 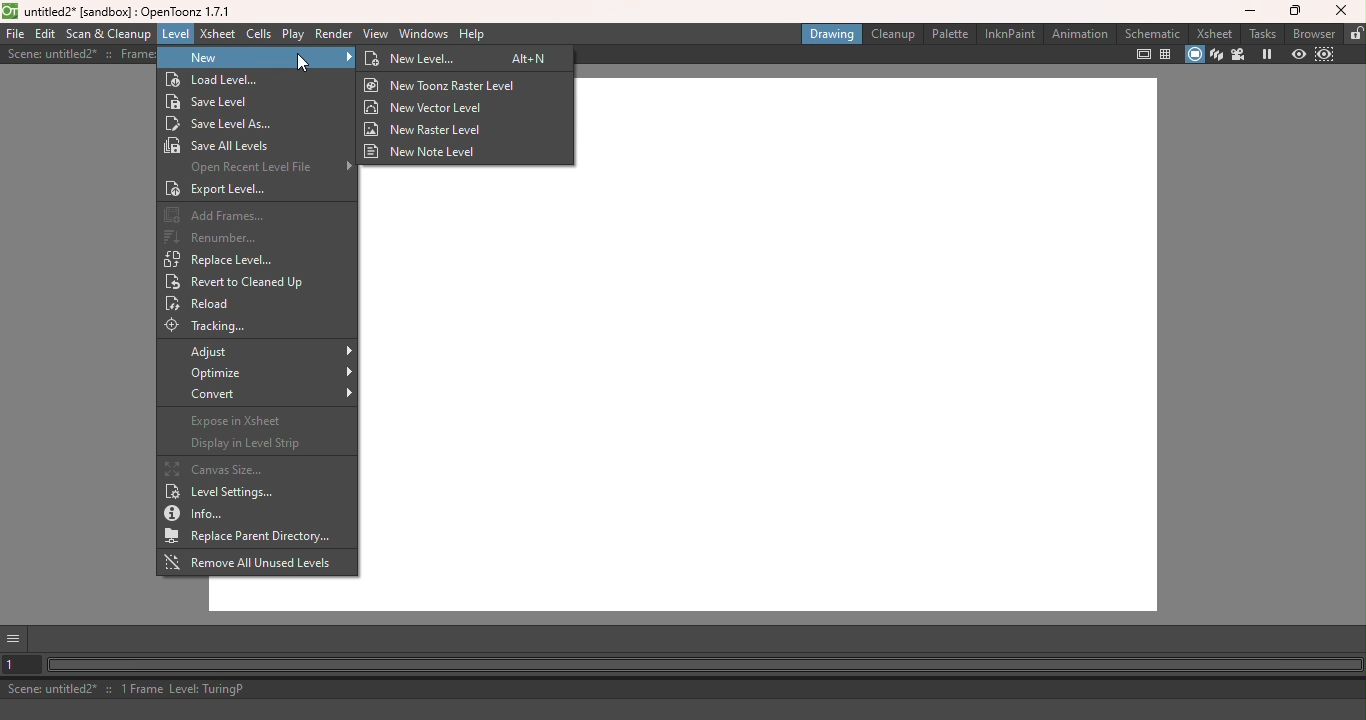 I want to click on Replace level, so click(x=222, y=259).